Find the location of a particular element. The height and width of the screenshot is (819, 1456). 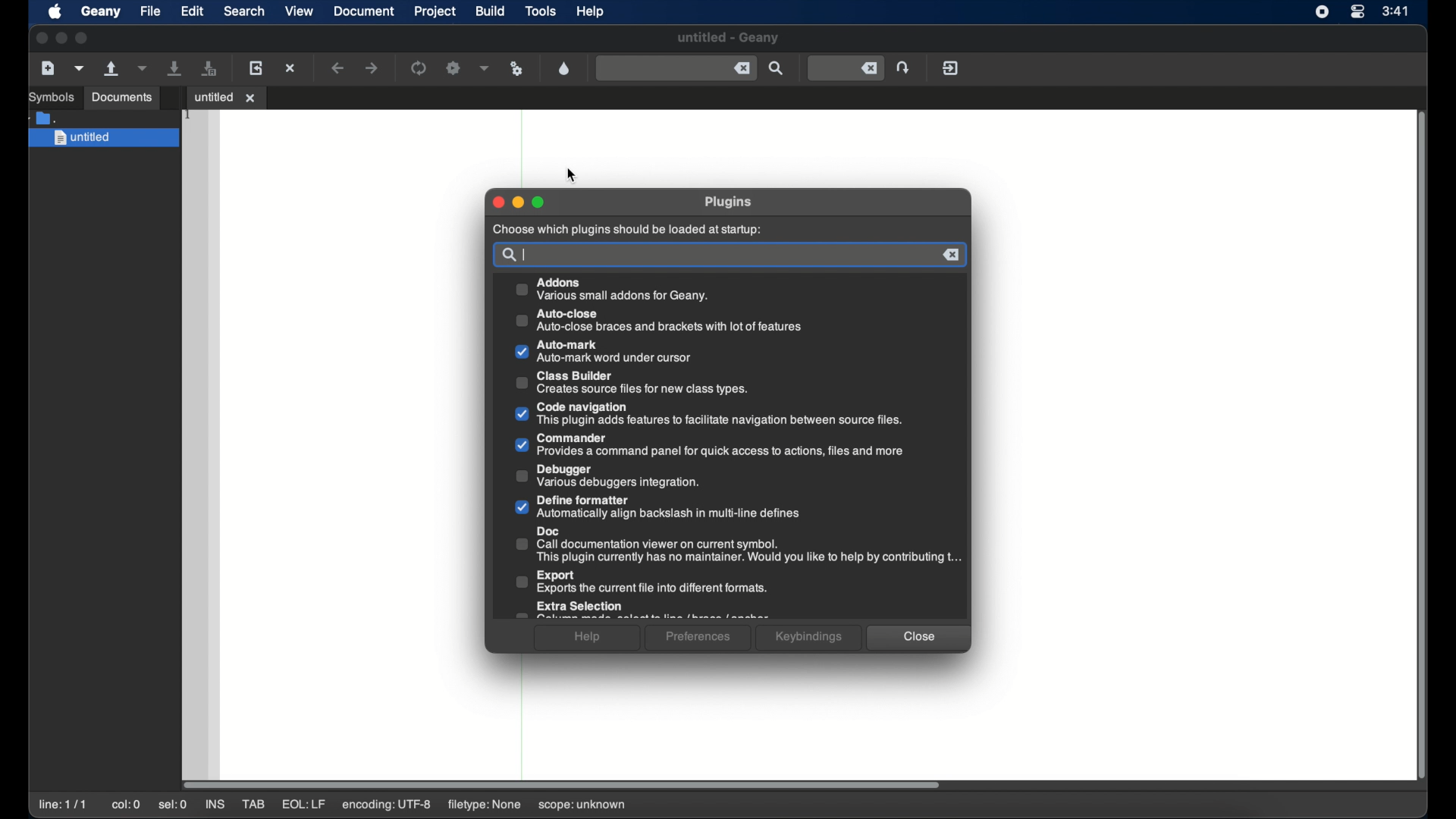

edit is located at coordinates (193, 12).